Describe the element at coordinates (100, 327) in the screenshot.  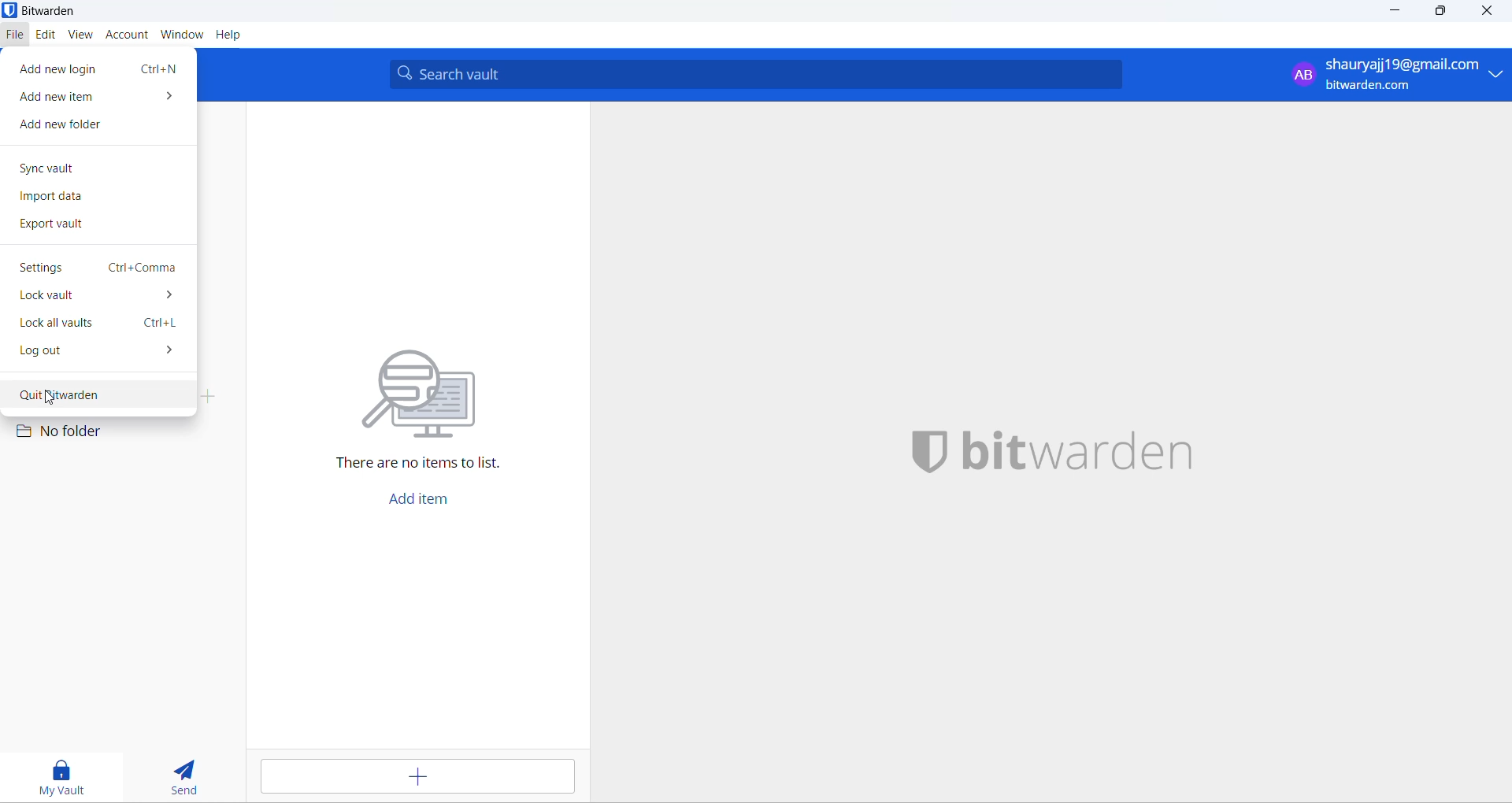
I see `lock all vaults` at that location.